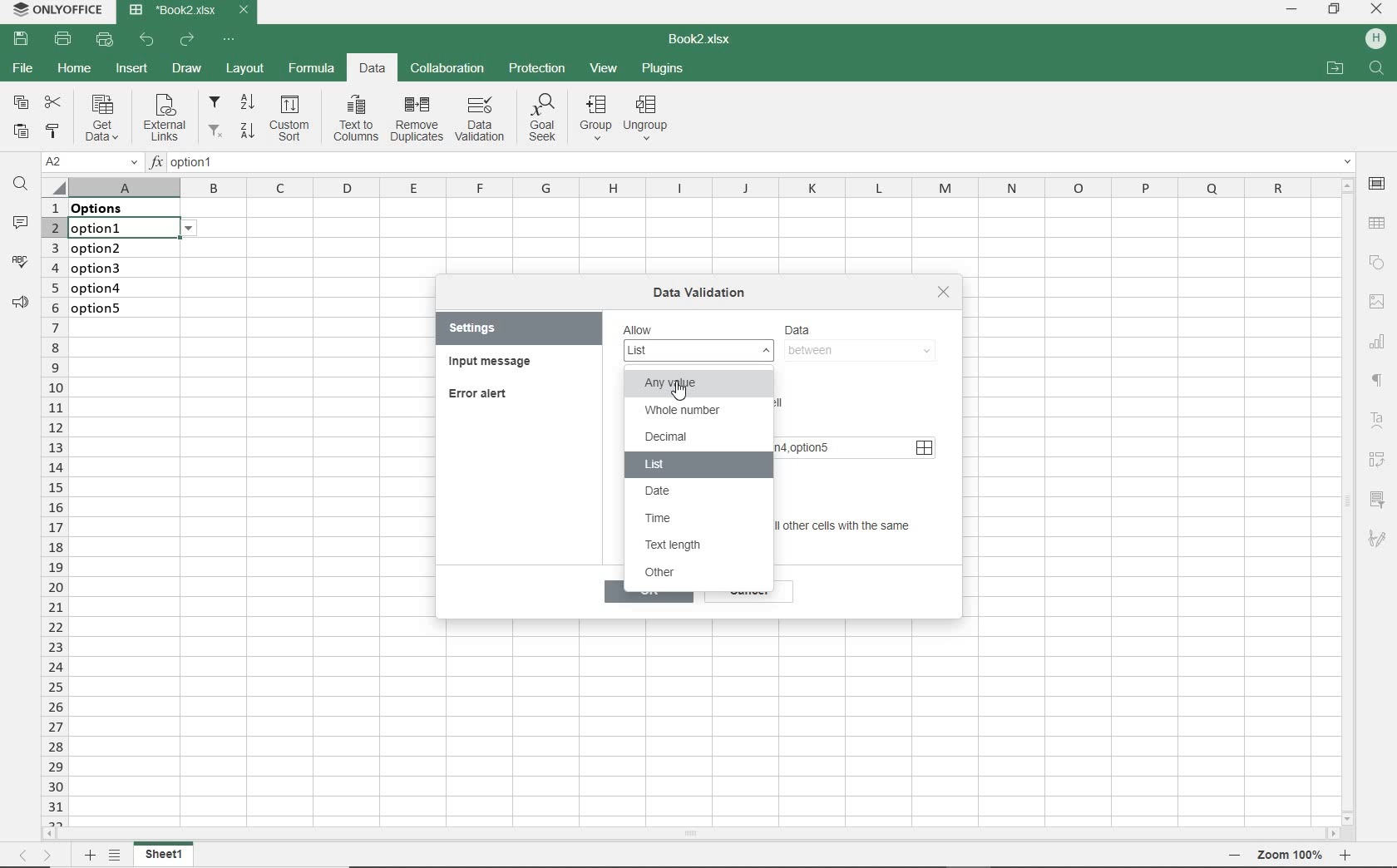  What do you see at coordinates (1379, 263) in the screenshot?
I see `SHAPE` at bounding box center [1379, 263].